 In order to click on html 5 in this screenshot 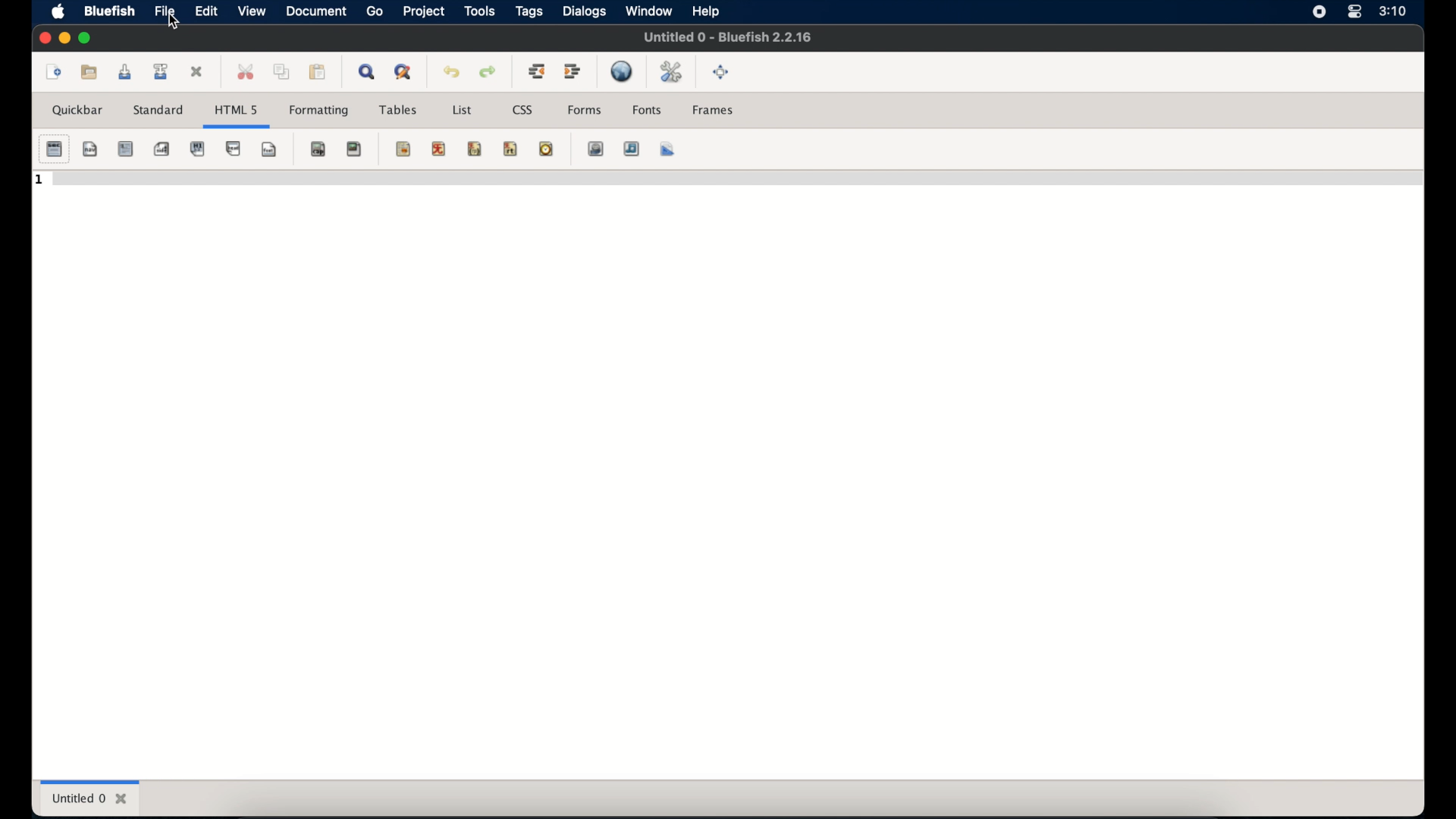, I will do `click(236, 111)`.